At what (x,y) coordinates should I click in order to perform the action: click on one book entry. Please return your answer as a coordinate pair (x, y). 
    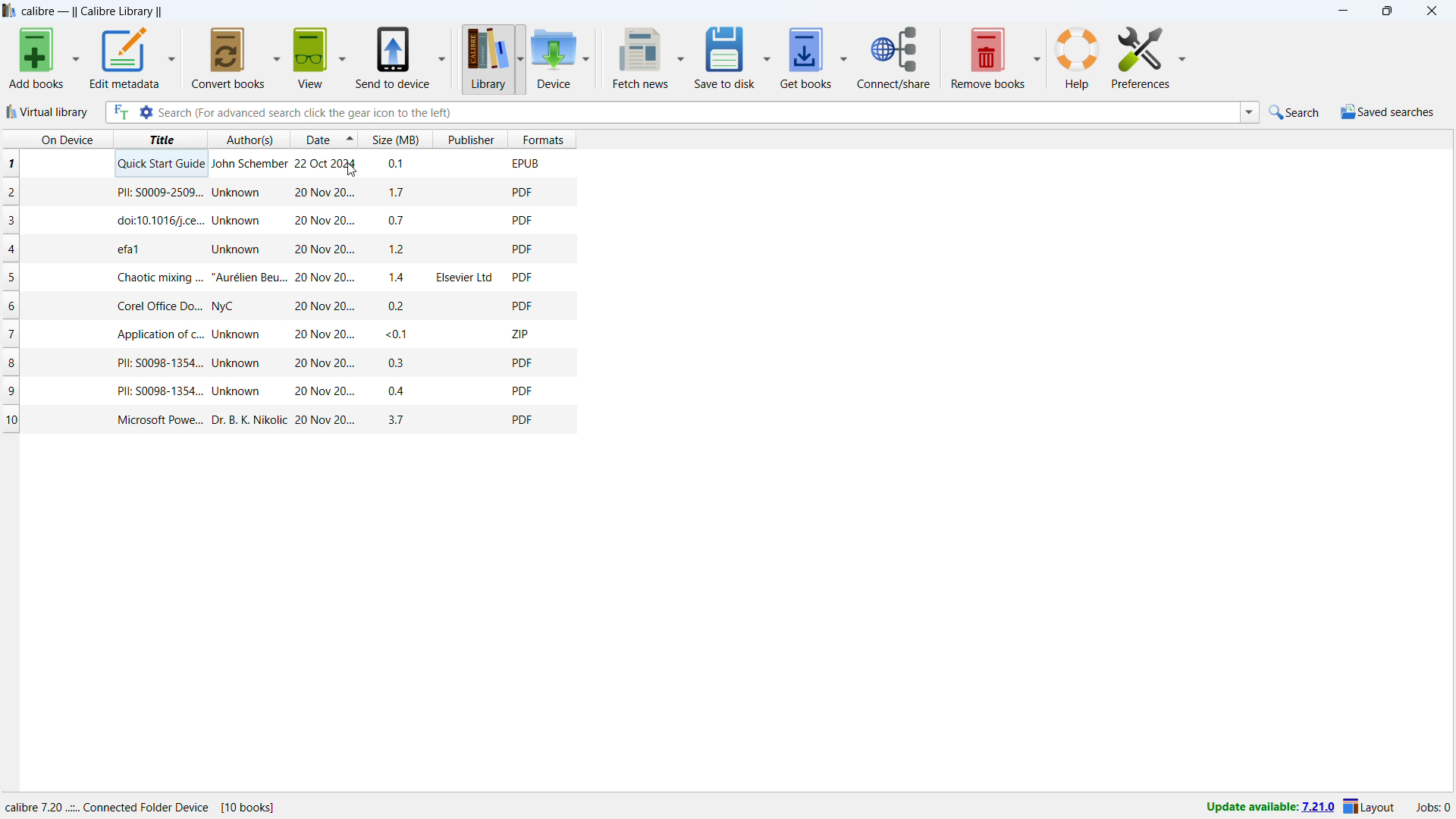
    Looking at the image, I should click on (286, 334).